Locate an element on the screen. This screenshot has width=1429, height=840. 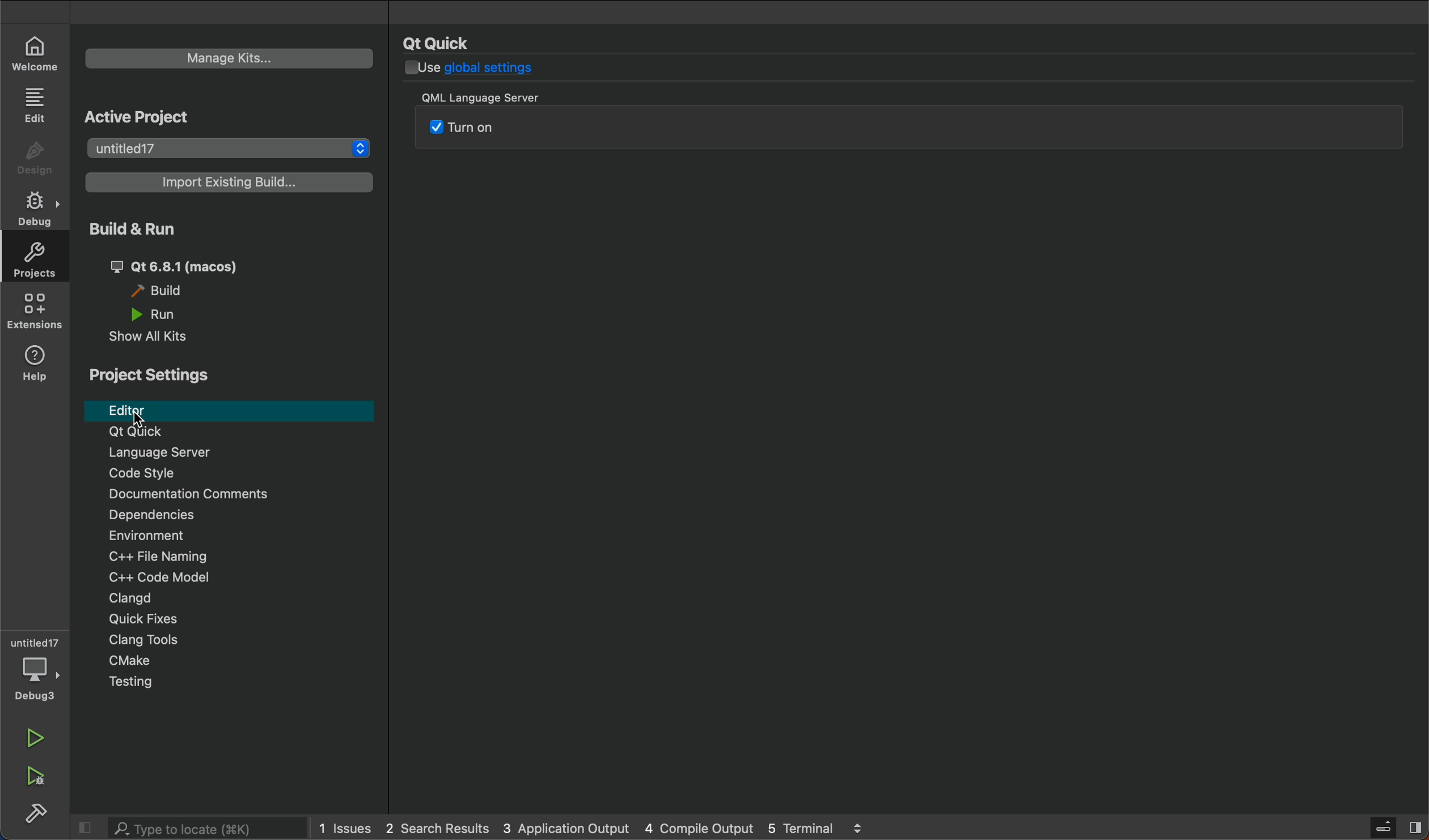
Build & Run is located at coordinates (144, 229).